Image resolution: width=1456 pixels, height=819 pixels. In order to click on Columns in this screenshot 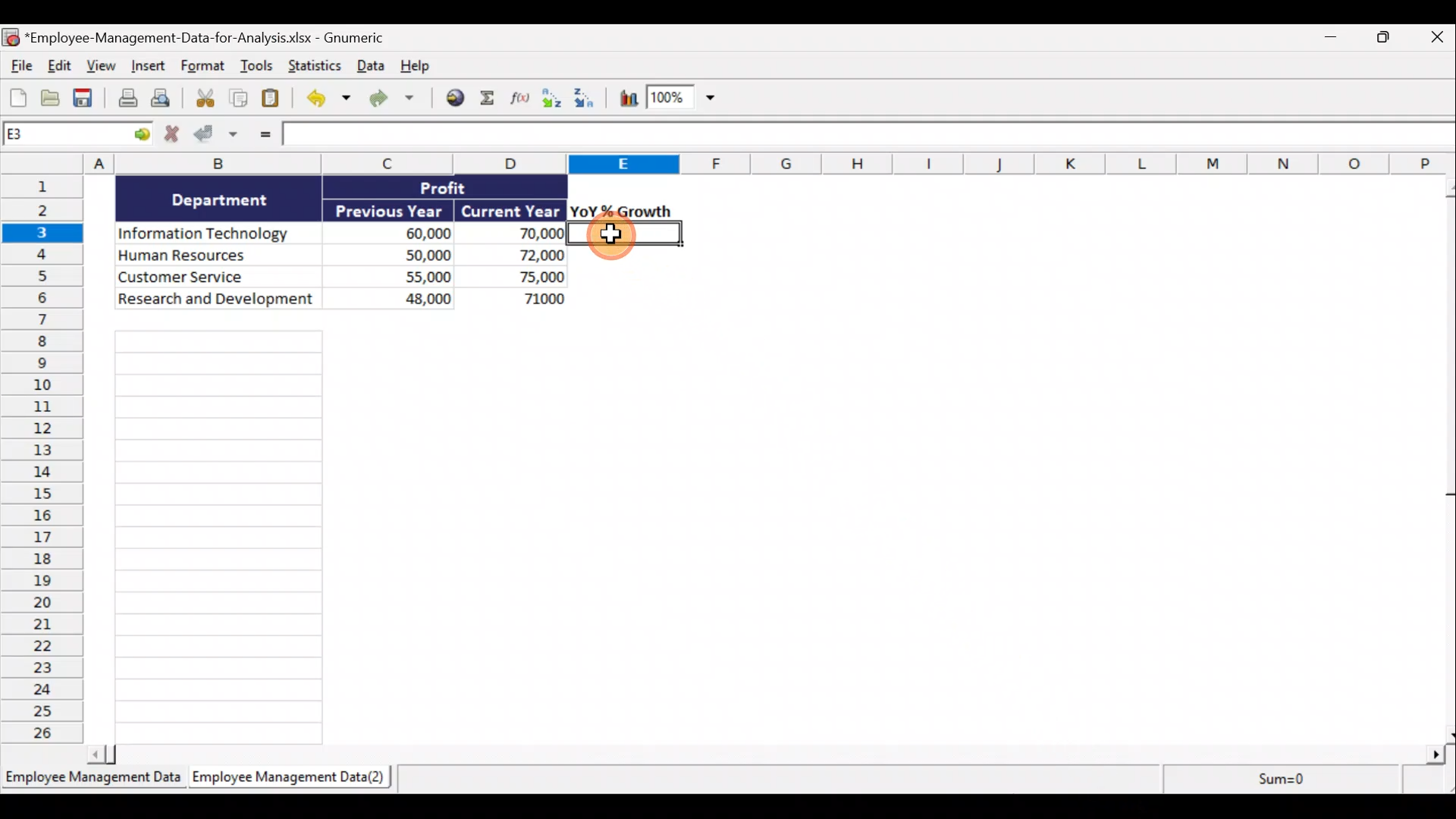, I will do `click(728, 164)`.